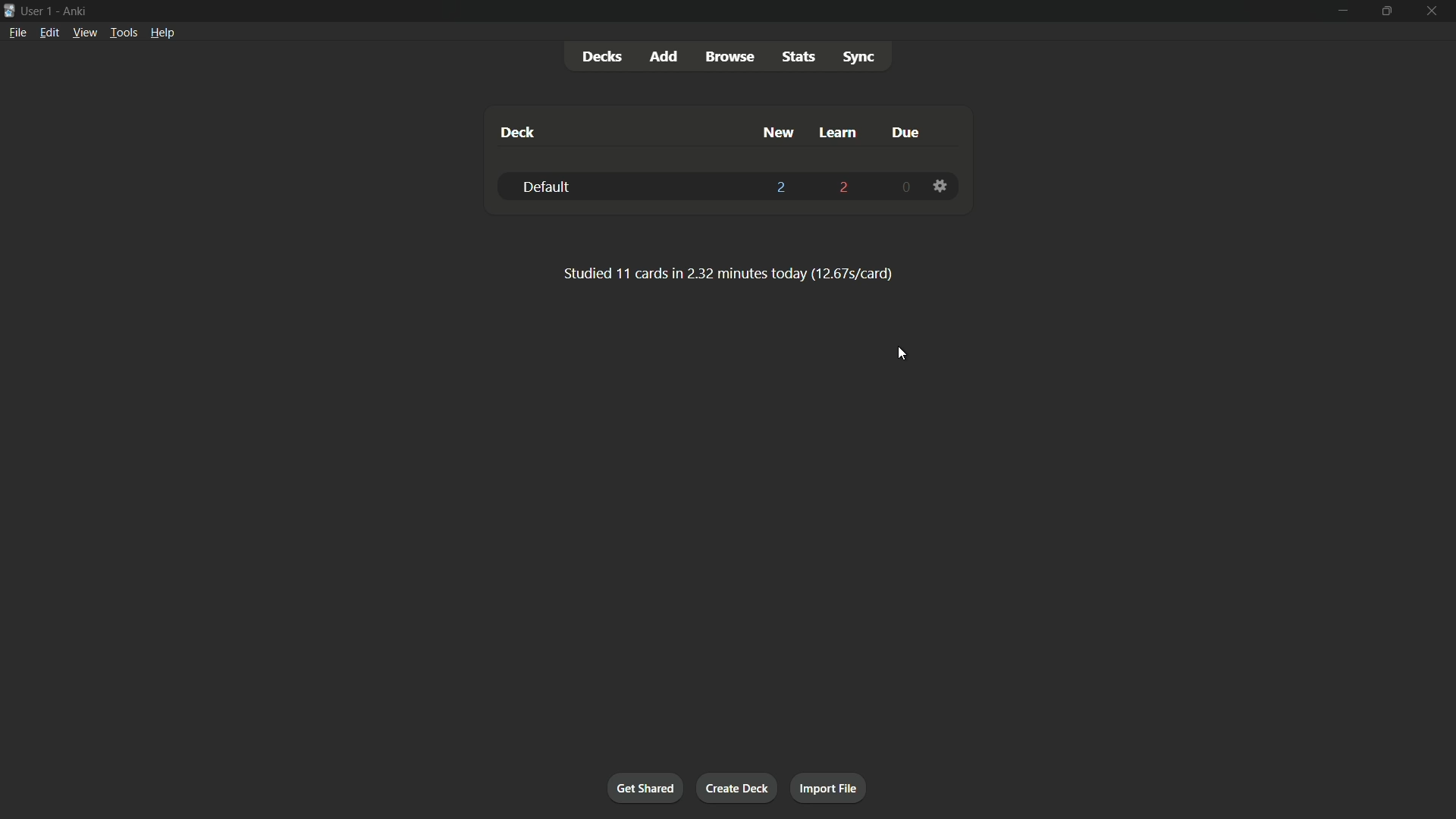  Describe the element at coordinates (124, 32) in the screenshot. I see `tools menu` at that location.